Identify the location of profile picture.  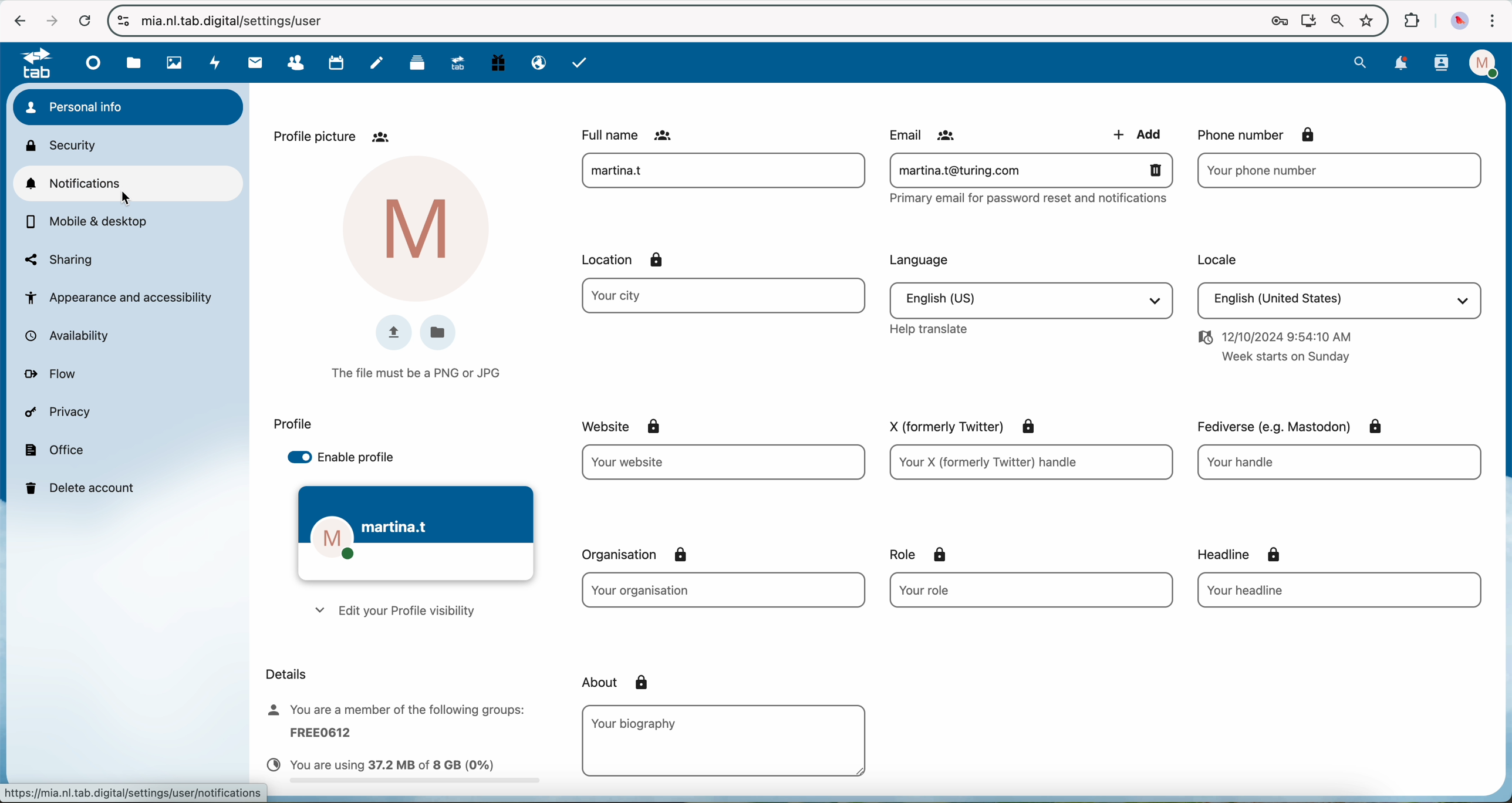
(417, 228).